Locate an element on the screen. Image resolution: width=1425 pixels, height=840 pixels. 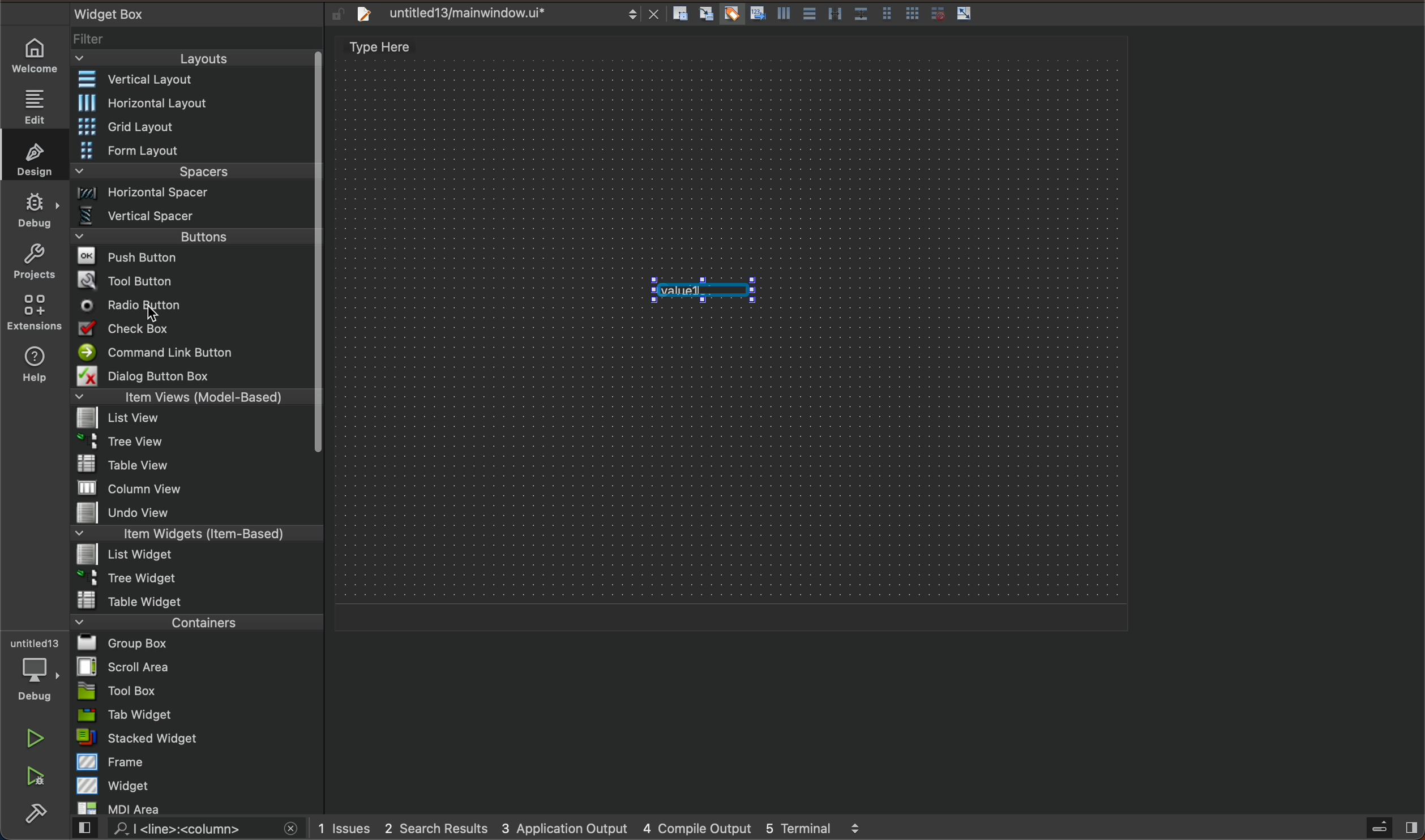
run and debug is located at coordinates (37, 778).